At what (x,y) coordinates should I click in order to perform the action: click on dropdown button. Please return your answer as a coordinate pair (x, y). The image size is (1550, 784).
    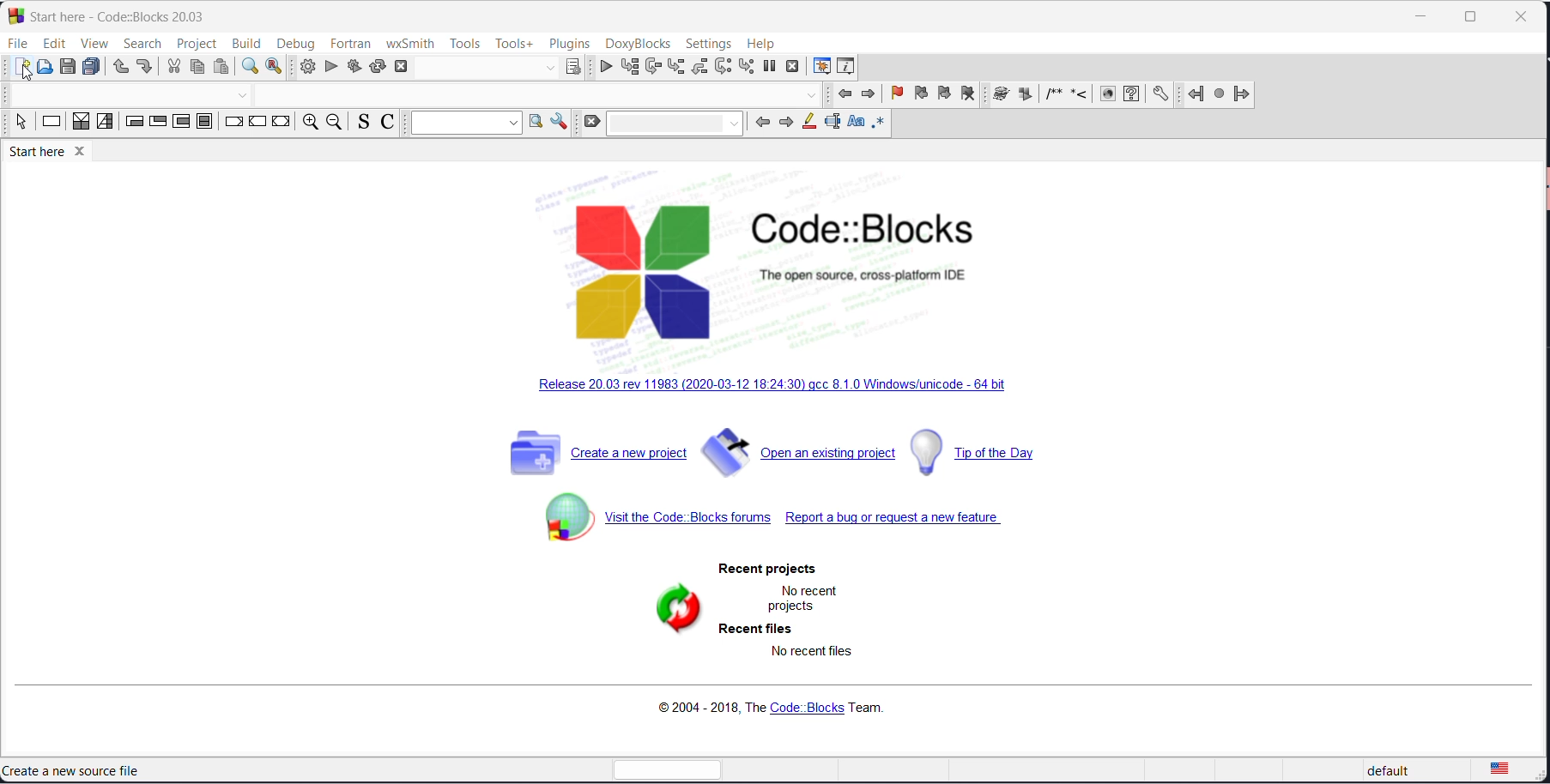
    Looking at the image, I should click on (548, 67).